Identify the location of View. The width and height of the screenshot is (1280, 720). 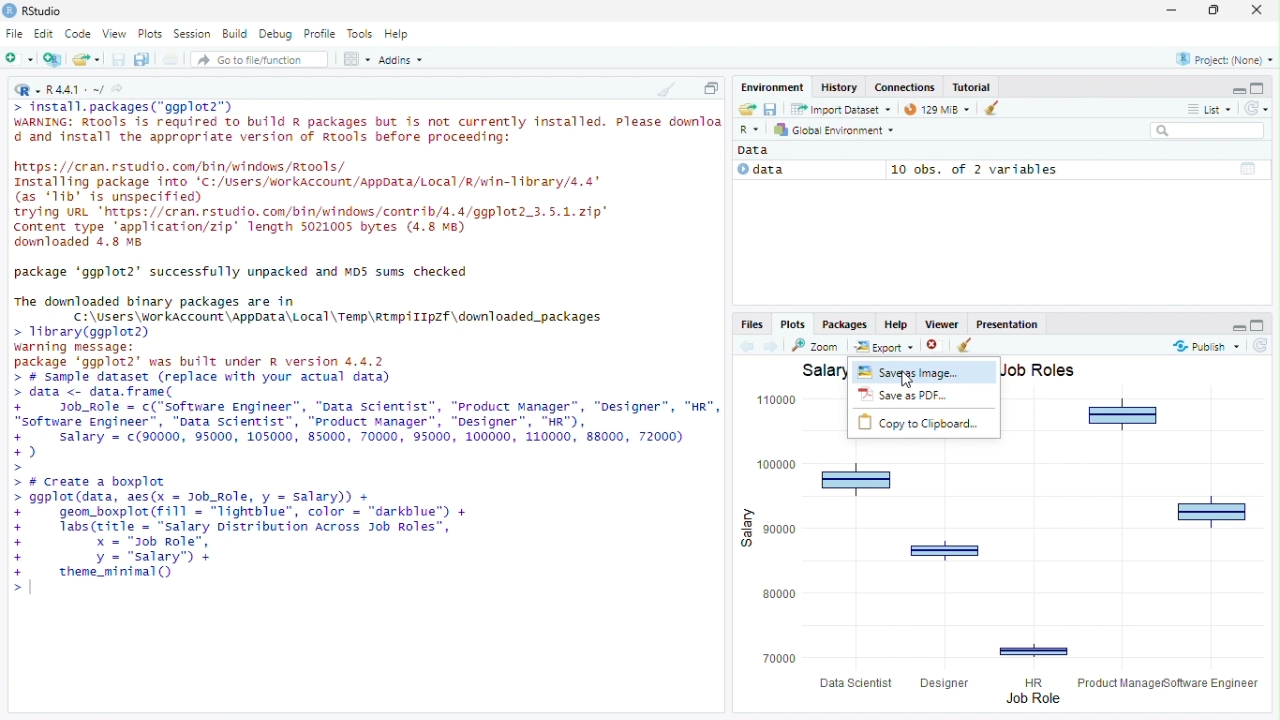
(113, 34).